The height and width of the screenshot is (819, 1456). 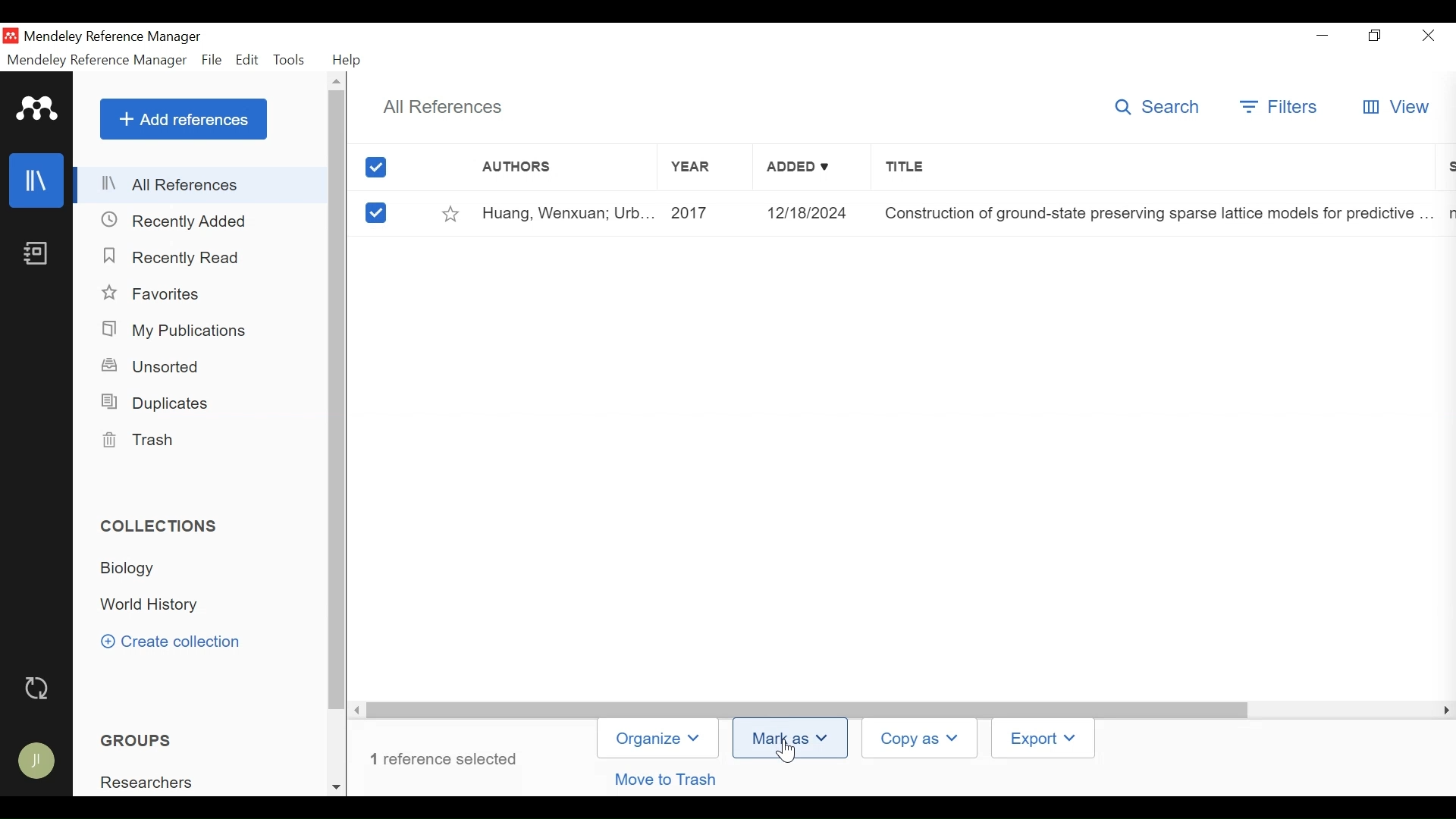 What do you see at coordinates (39, 760) in the screenshot?
I see `Avatar` at bounding box center [39, 760].